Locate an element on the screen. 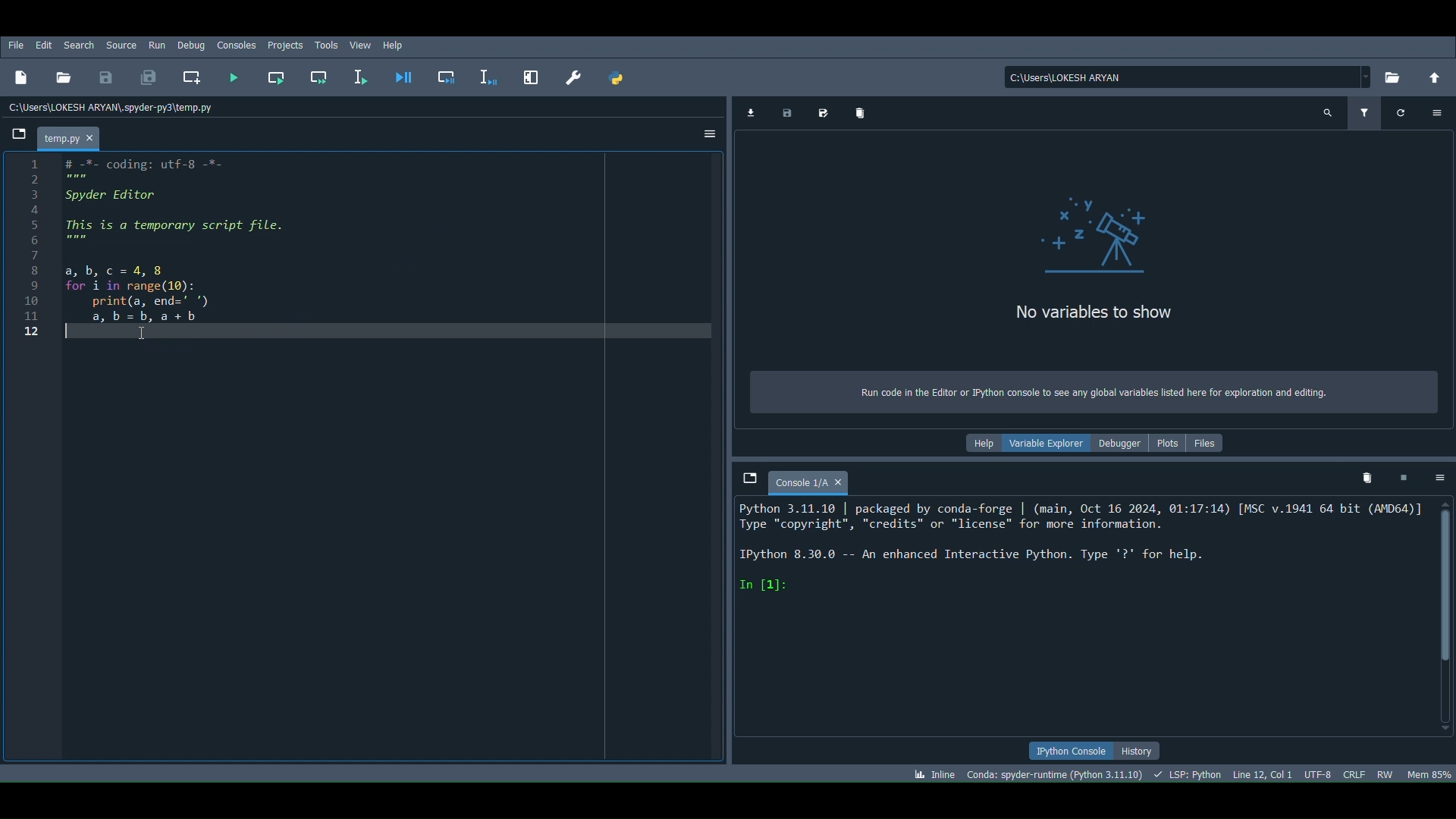  Console is located at coordinates (809, 482).